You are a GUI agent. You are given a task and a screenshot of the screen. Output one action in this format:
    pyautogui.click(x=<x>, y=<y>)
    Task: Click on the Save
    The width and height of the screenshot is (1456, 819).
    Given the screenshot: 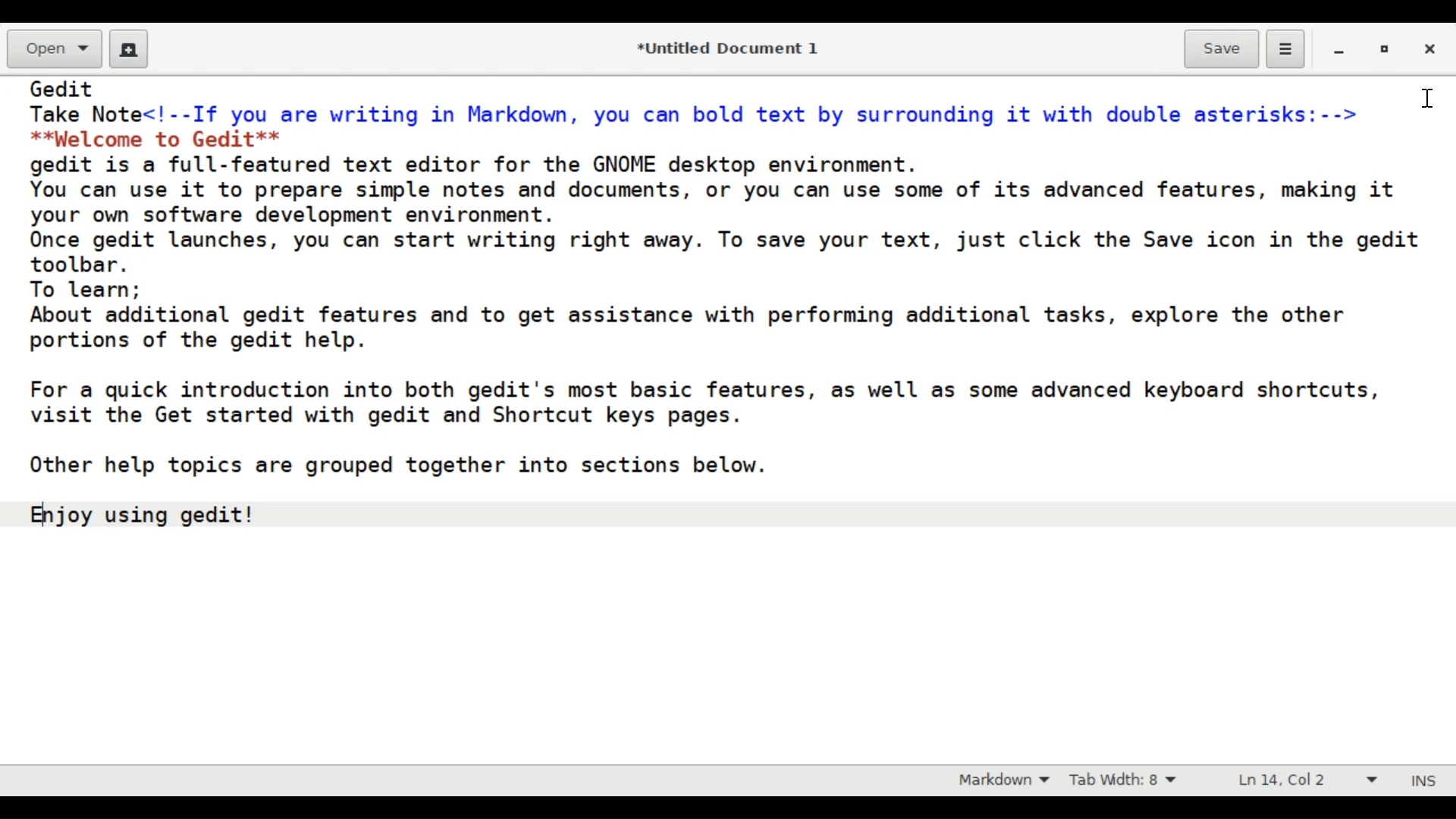 What is the action you would take?
    pyautogui.click(x=1222, y=49)
    